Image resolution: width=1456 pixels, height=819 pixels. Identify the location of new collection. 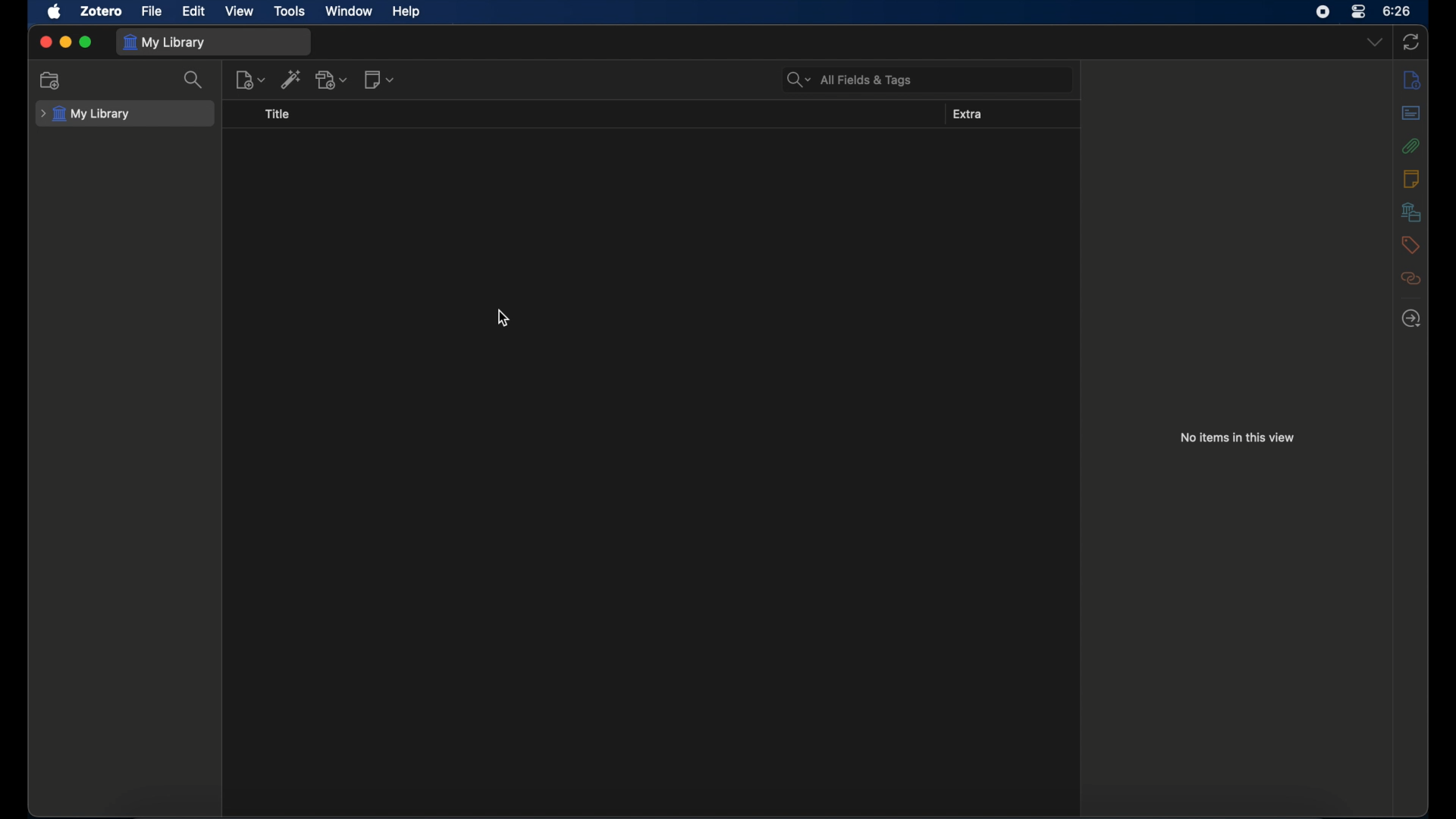
(49, 81).